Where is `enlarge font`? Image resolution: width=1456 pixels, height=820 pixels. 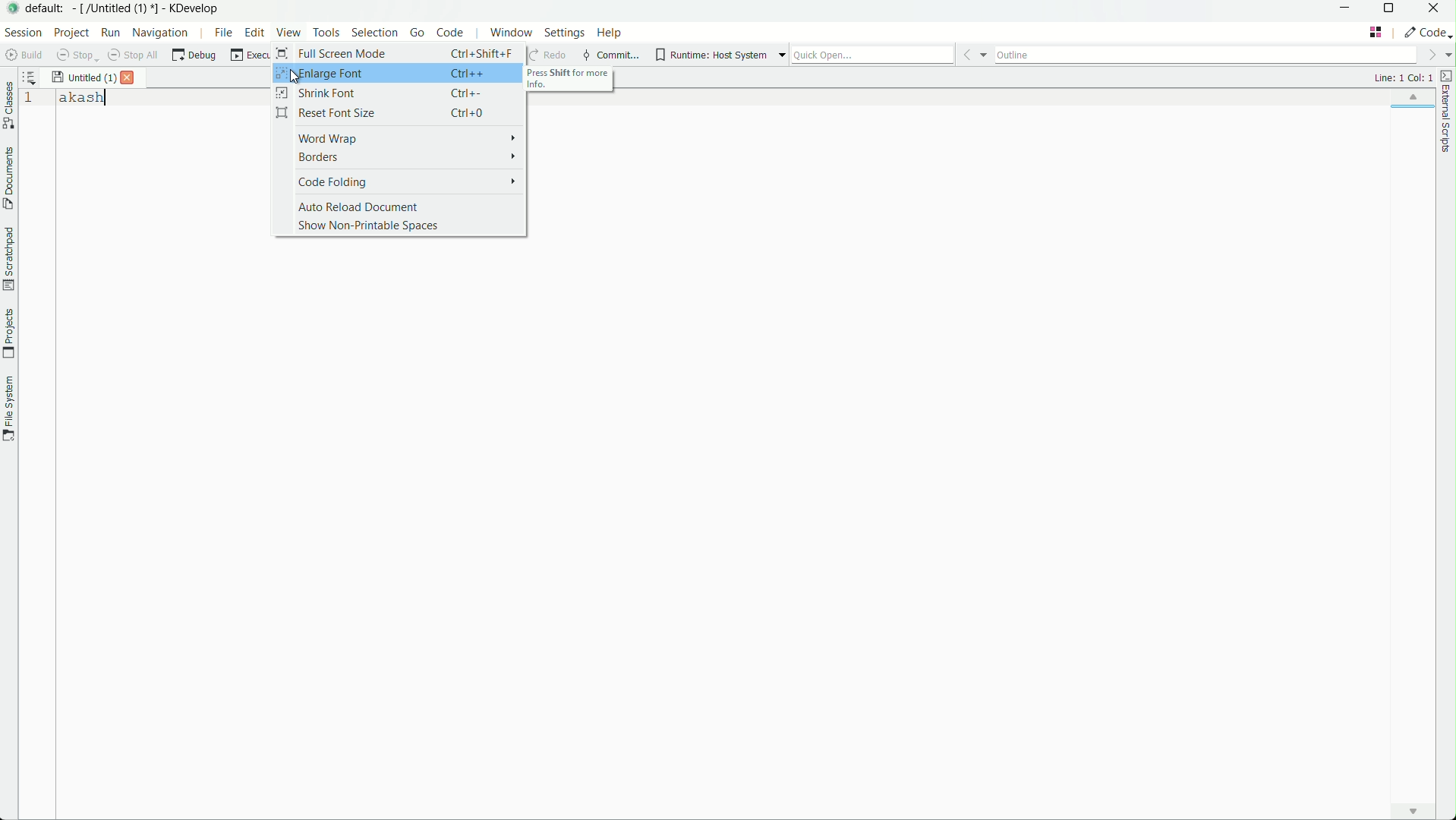
enlarge font is located at coordinates (400, 73).